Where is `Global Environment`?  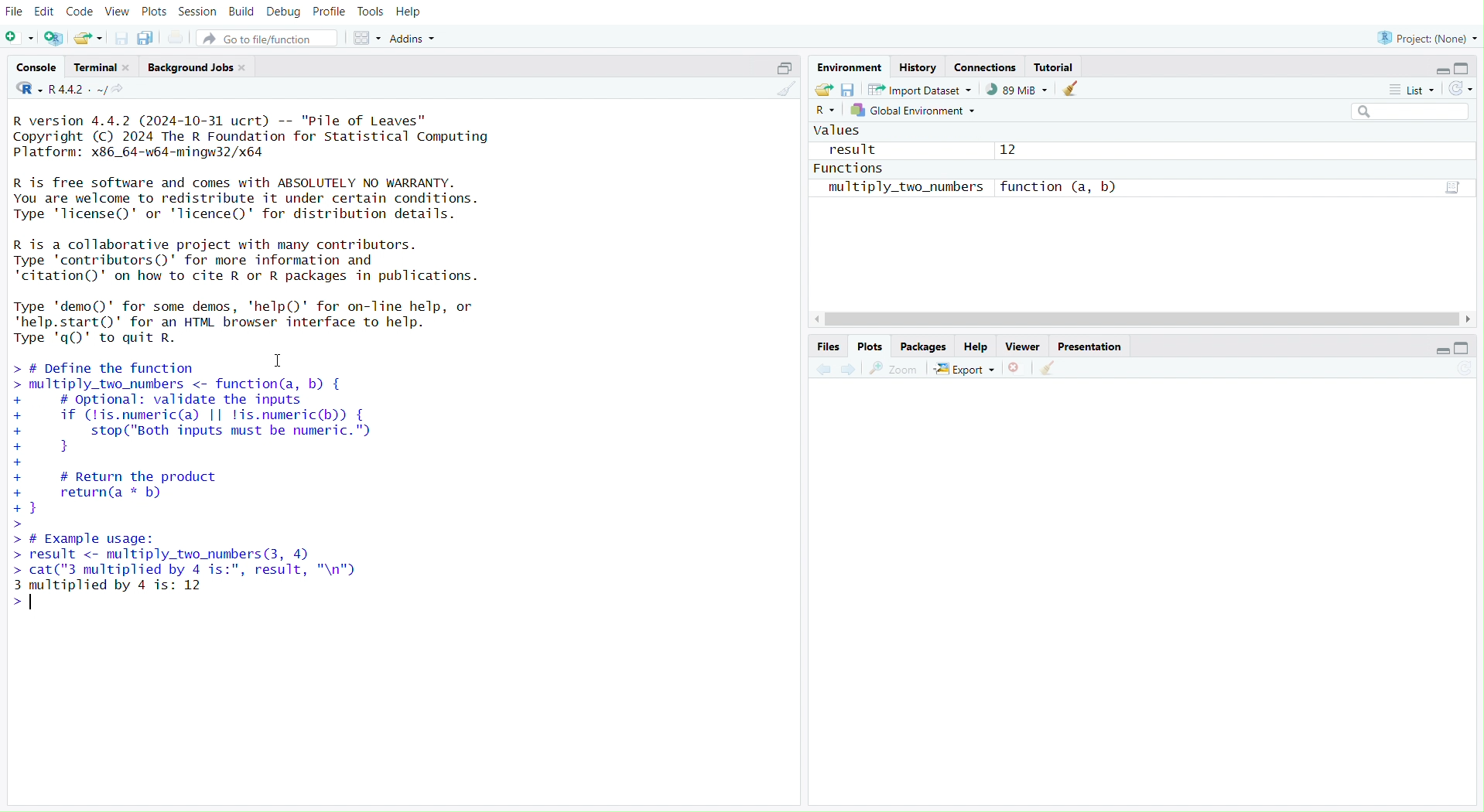 Global Environment is located at coordinates (916, 111).